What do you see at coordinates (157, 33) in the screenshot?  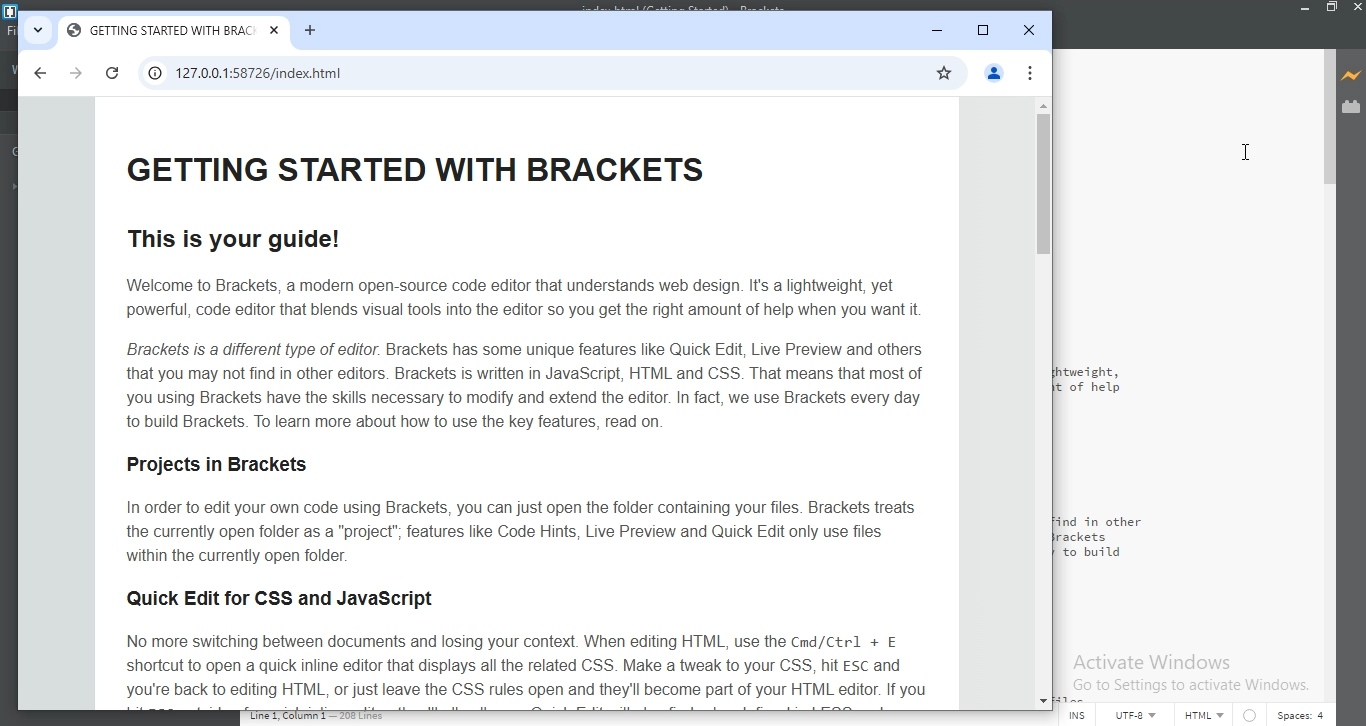 I see `tab` at bounding box center [157, 33].